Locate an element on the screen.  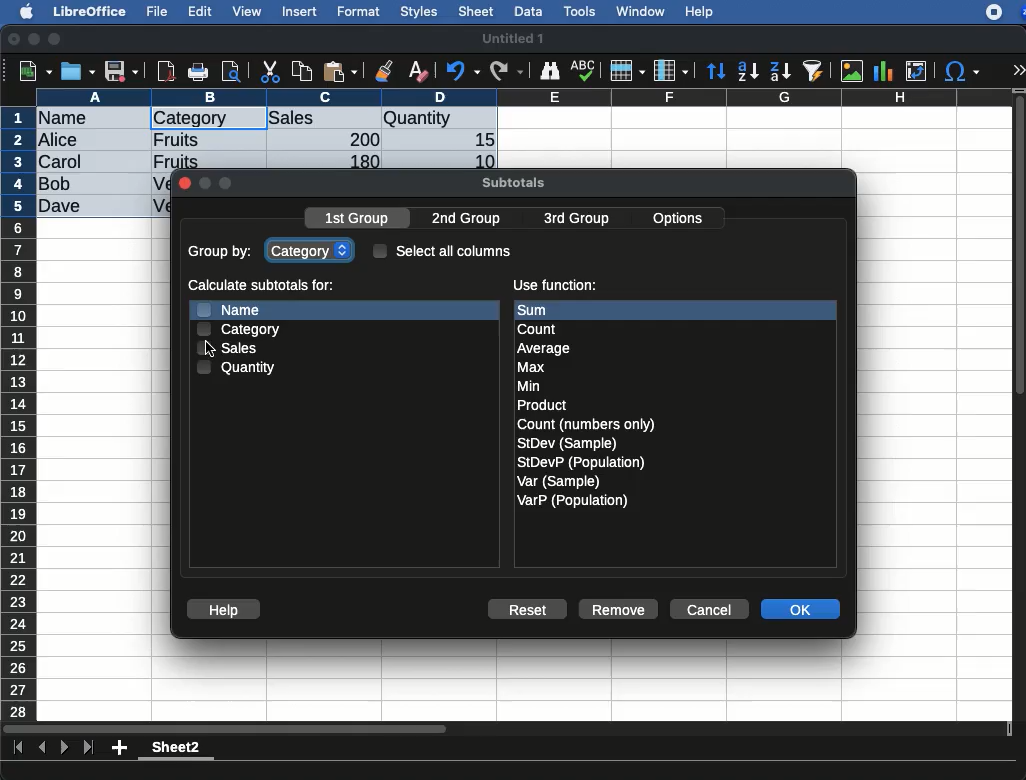
sort is located at coordinates (715, 72).